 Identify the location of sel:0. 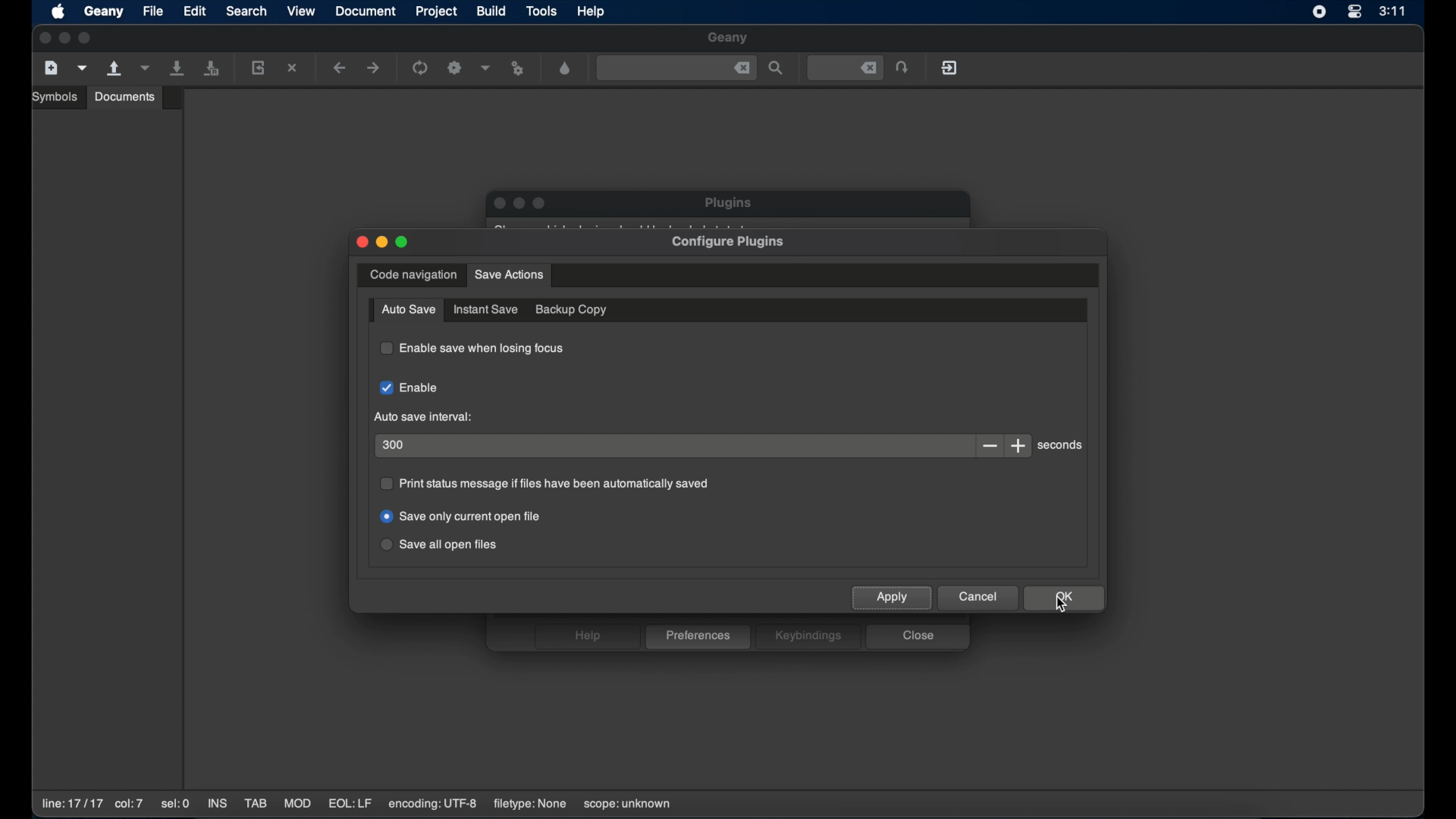
(177, 805).